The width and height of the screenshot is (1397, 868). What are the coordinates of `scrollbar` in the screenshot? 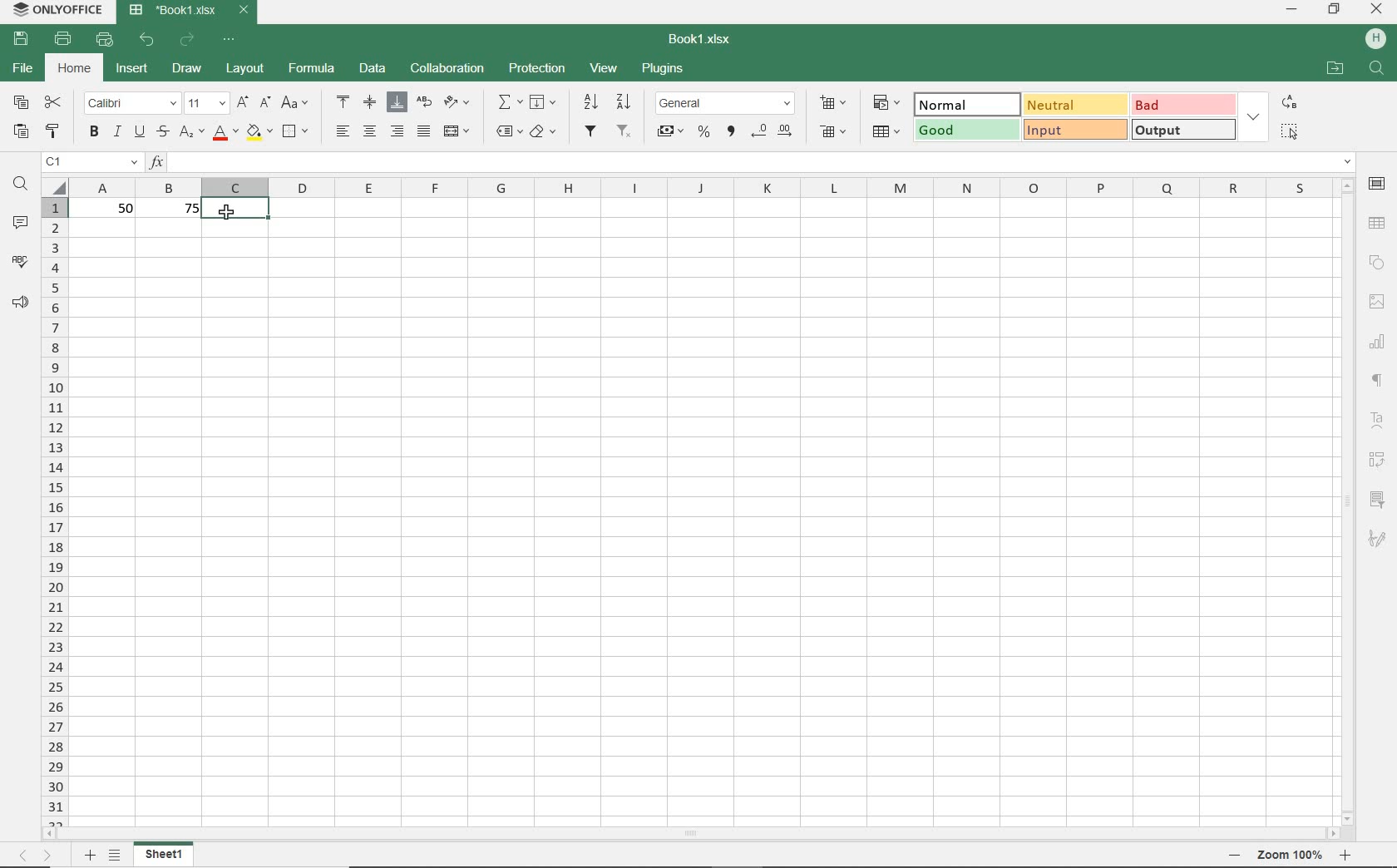 It's located at (1350, 501).